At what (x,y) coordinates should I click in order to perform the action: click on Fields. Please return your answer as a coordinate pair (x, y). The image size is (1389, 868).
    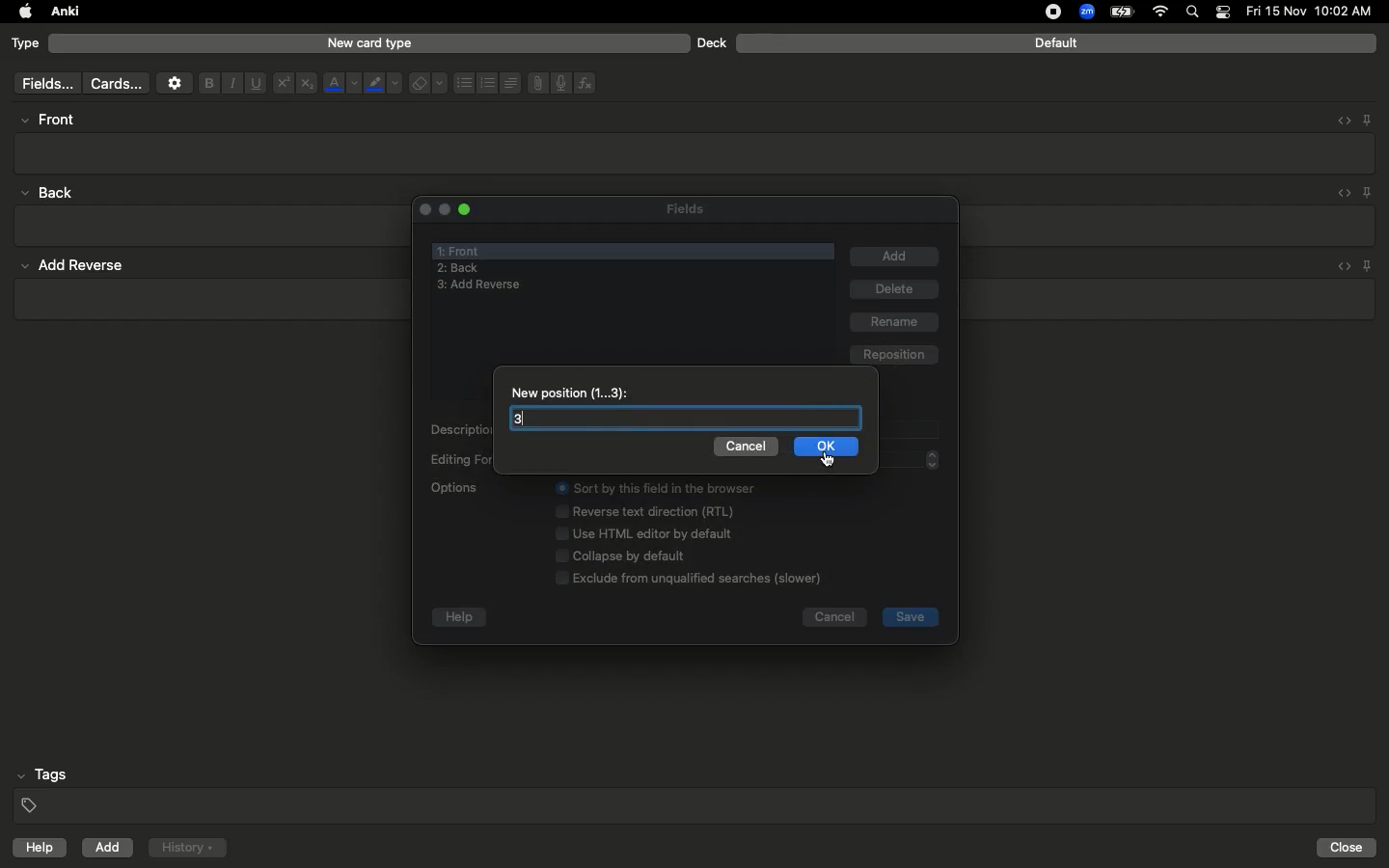
    Looking at the image, I should click on (697, 208).